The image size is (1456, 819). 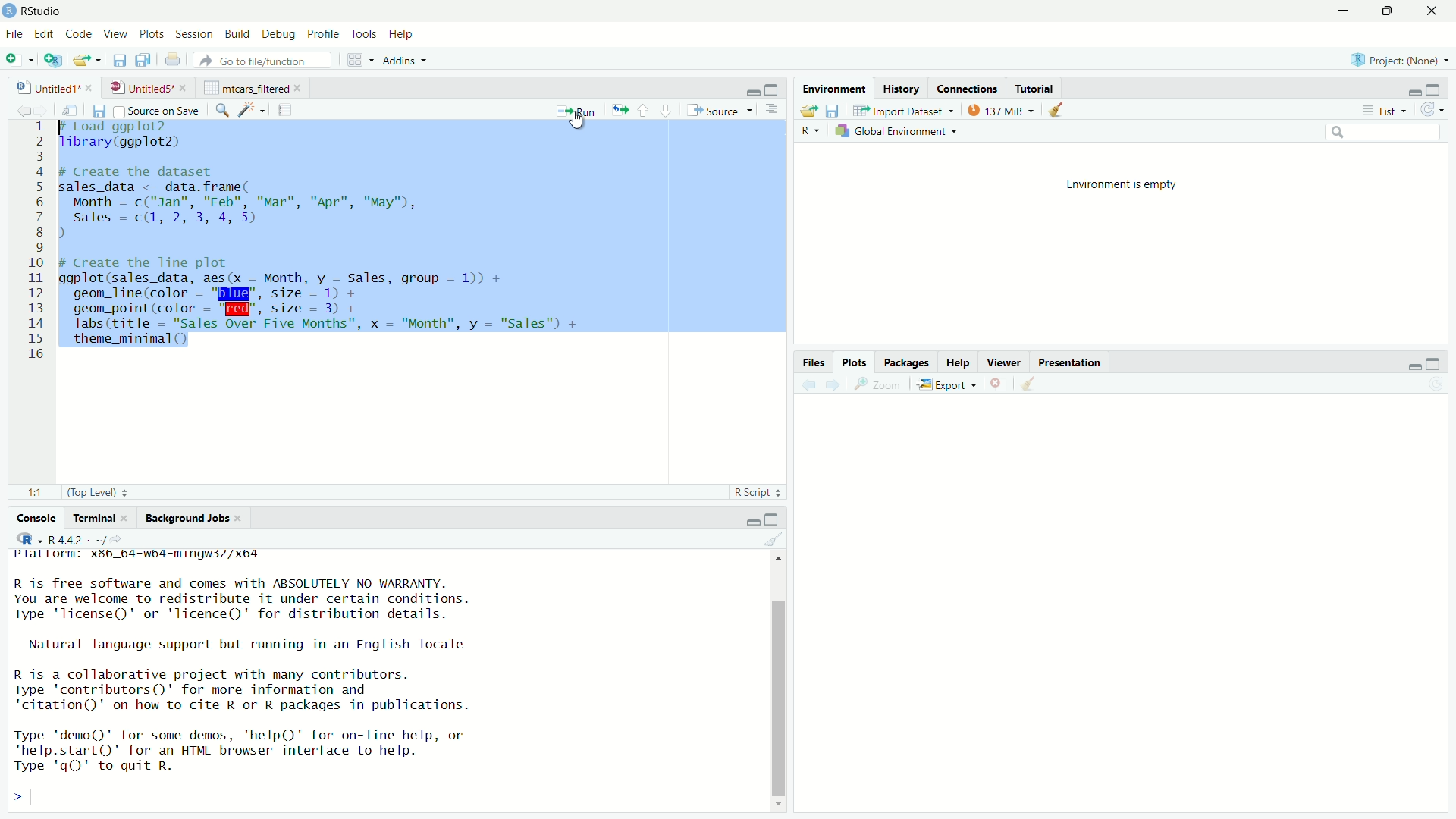 I want to click on line numbers, so click(x=39, y=243).